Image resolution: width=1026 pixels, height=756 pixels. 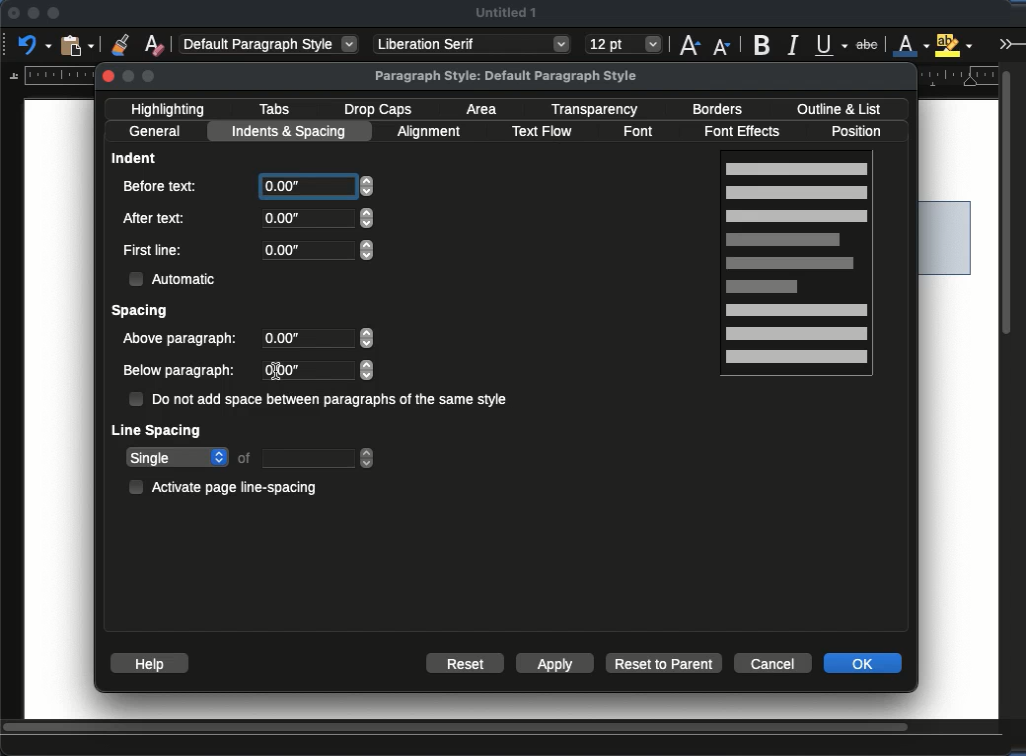 I want to click on alignment, so click(x=432, y=132).